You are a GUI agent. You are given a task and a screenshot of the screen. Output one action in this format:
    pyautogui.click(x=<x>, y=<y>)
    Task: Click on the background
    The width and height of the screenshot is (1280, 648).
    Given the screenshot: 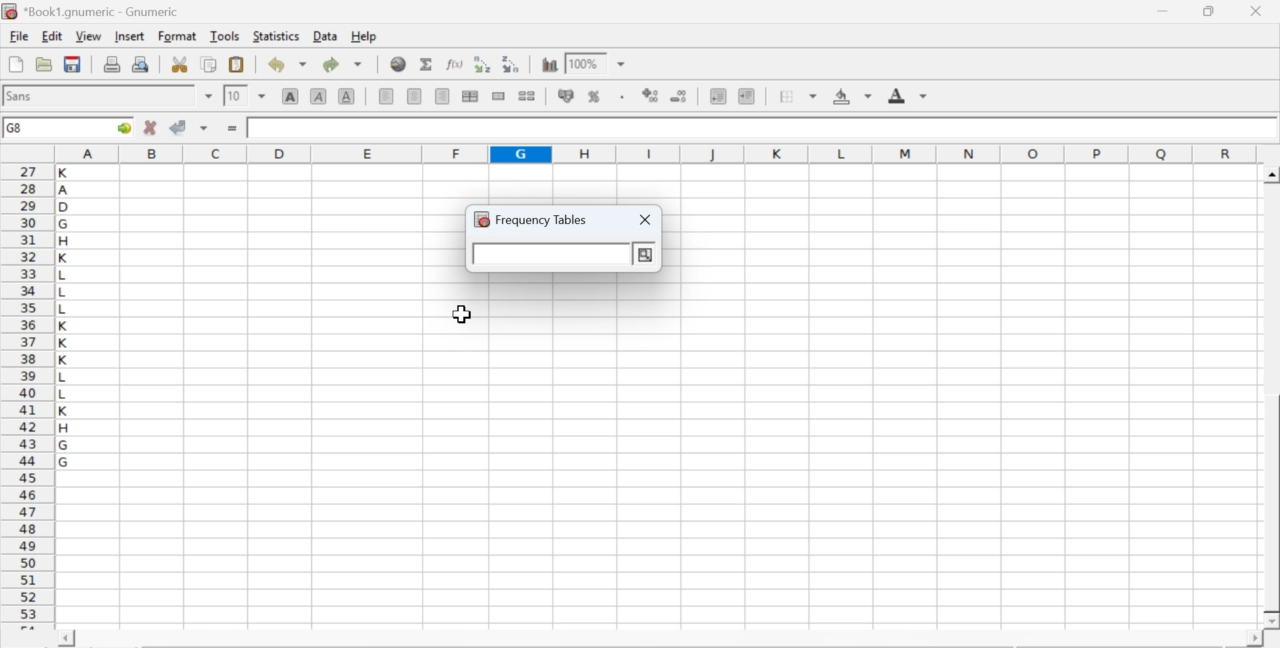 What is the action you would take?
    pyautogui.click(x=854, y=96)
    